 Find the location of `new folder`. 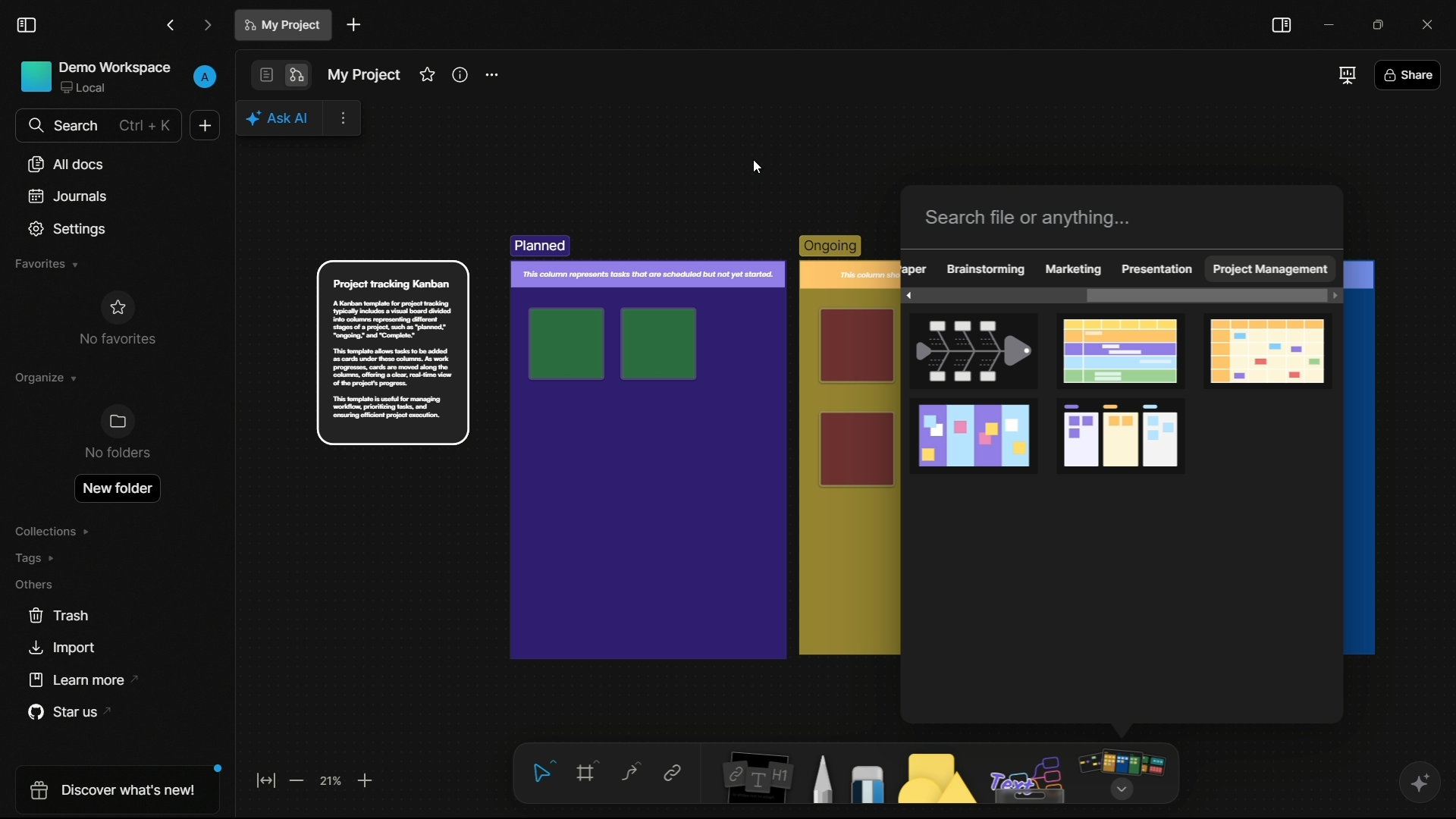

new folder is located at coordinates (116, 488).